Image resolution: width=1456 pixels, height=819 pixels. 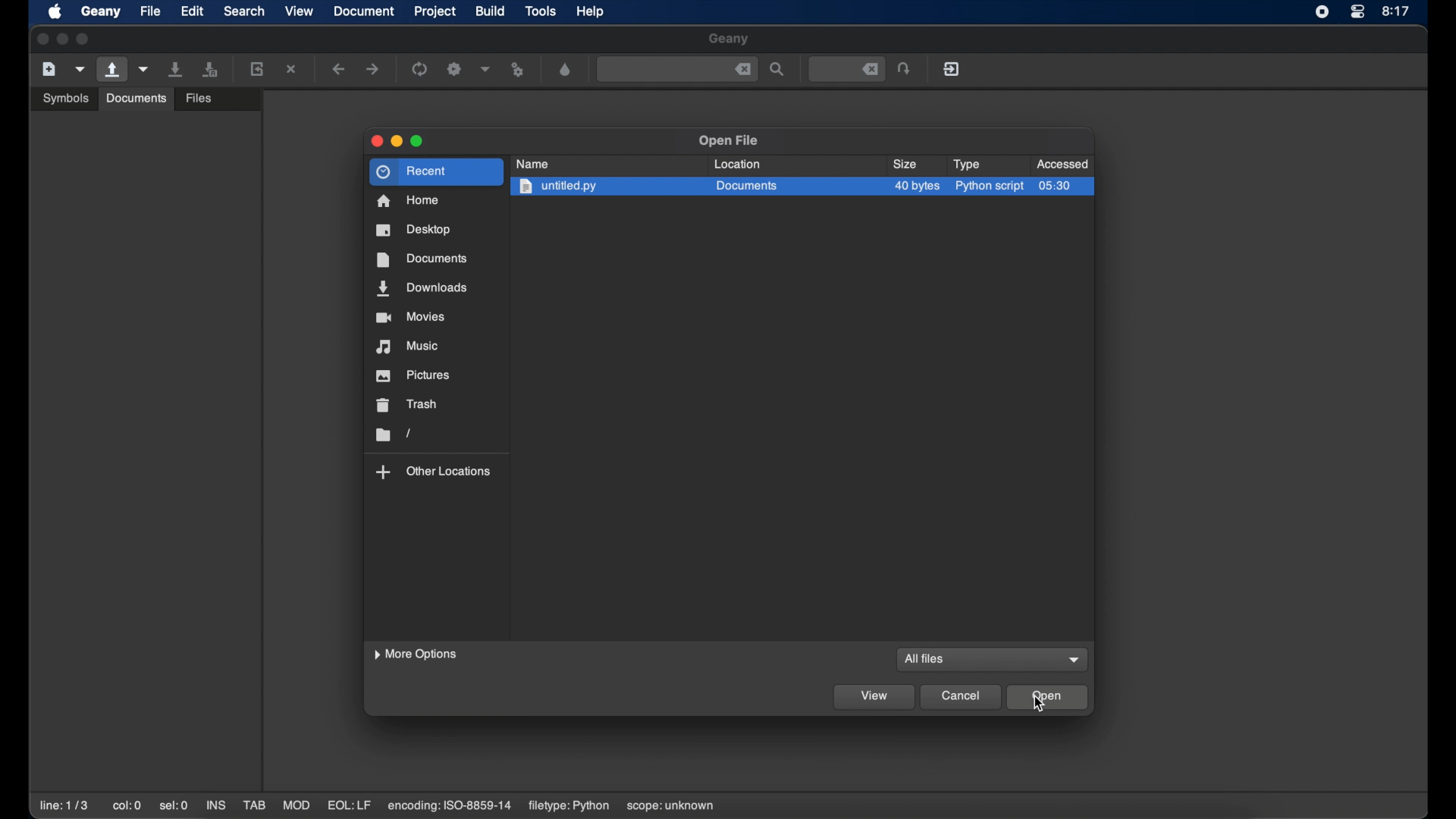 What do you see at coordinates (435, 171) in the screenshot?
I see `recent highlighted` at bounding box center [435, 171].